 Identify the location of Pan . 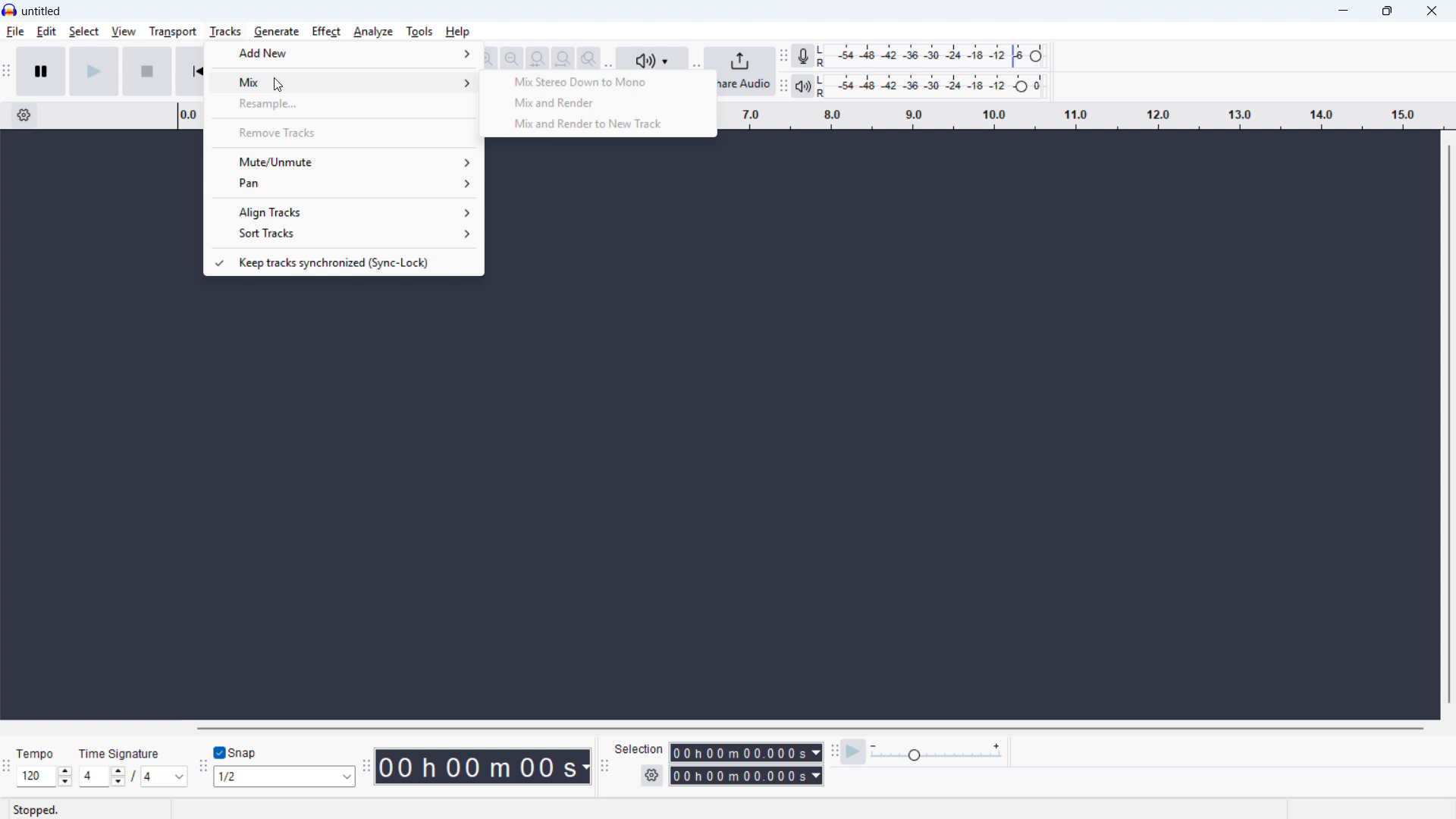
(343, 183).